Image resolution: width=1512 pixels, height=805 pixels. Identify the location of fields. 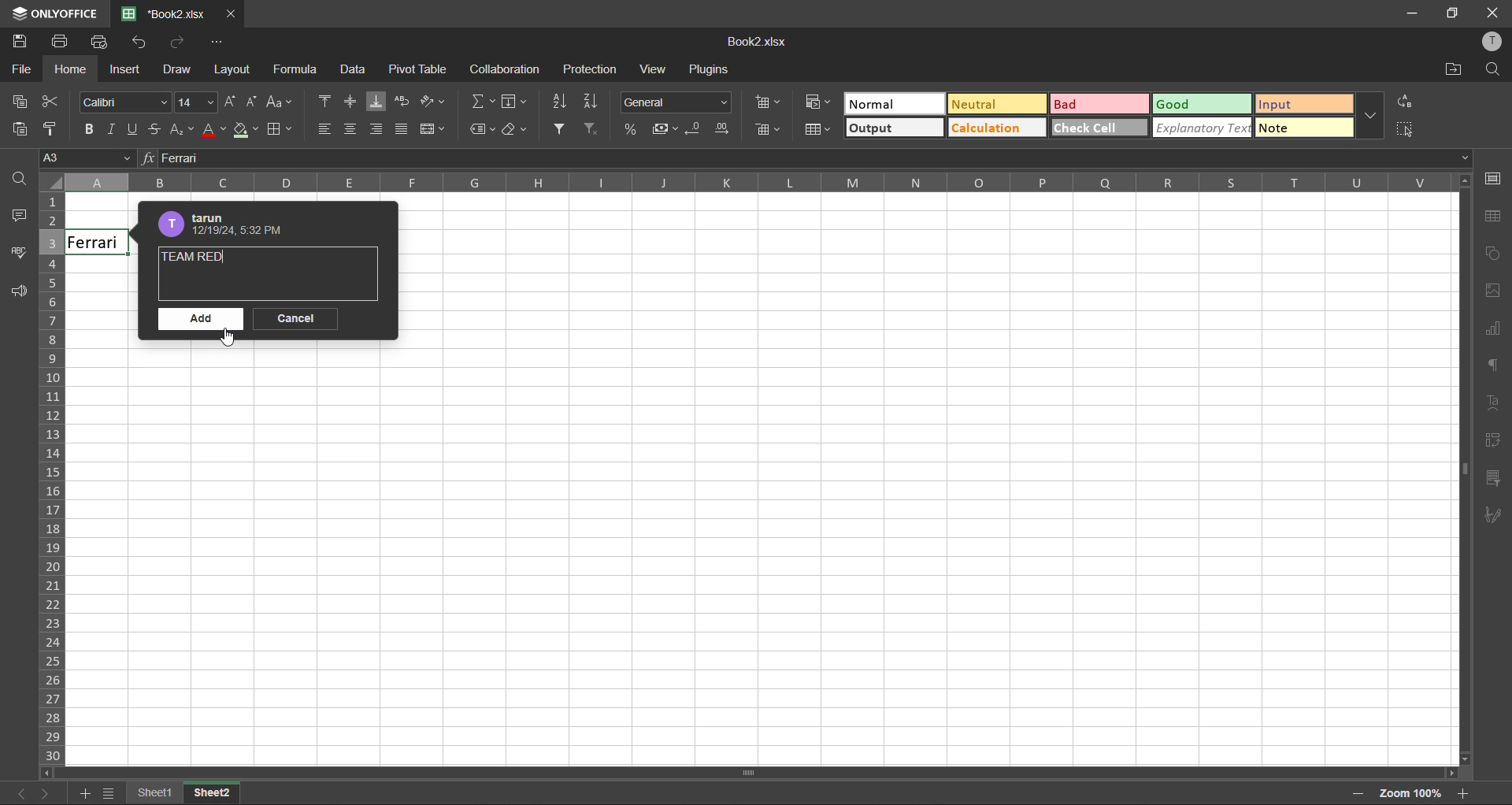
(516, 99).